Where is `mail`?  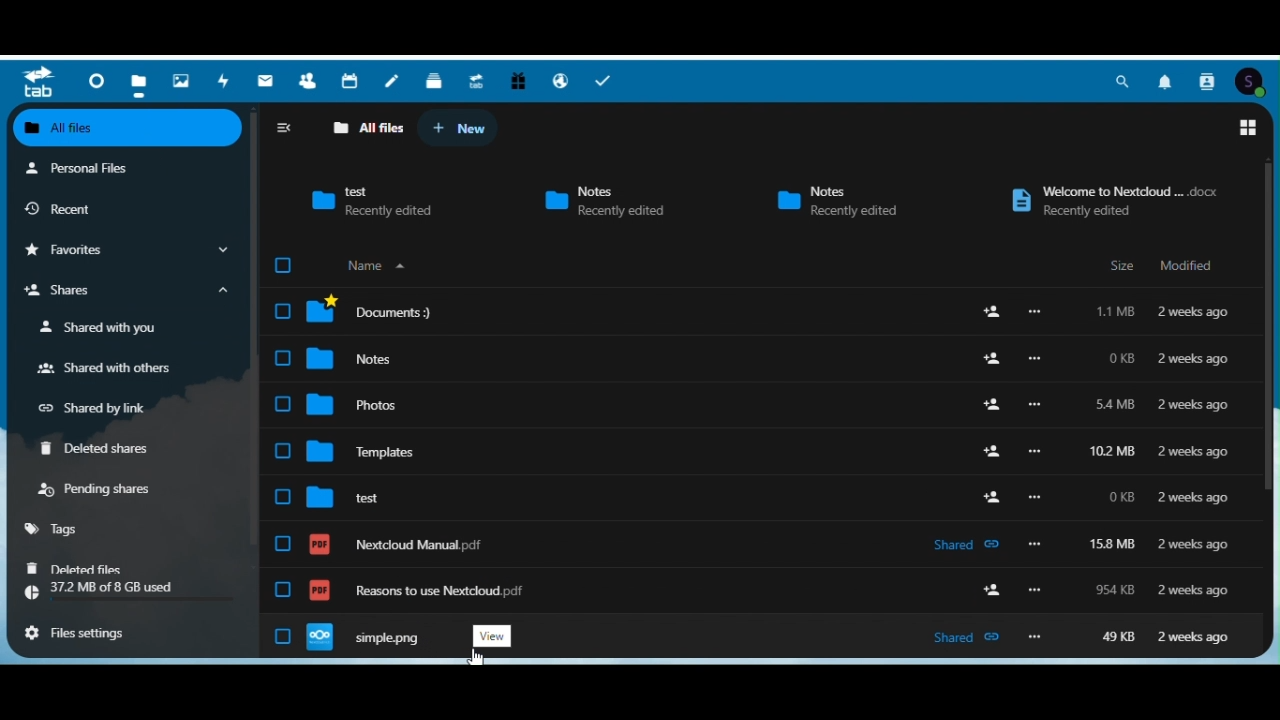 mail is located at coordinates (262, 79).